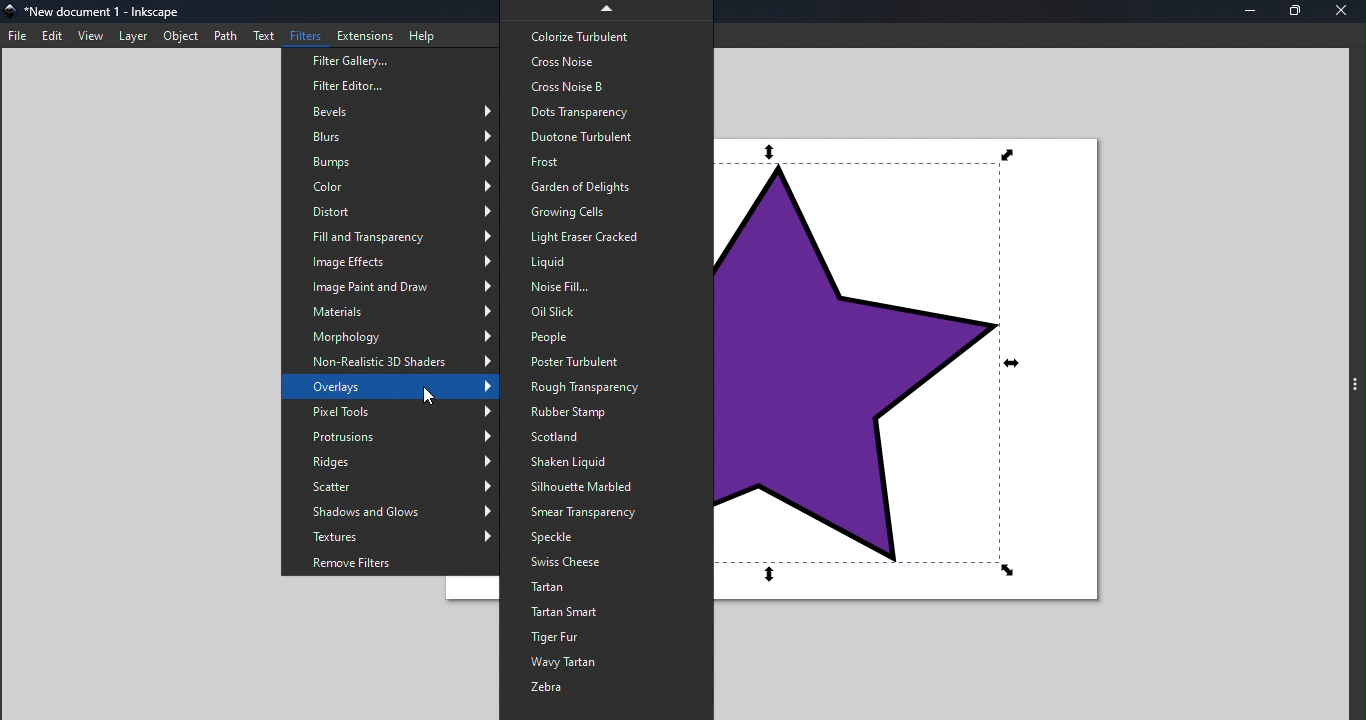 This screenshot has width=1366, height=720. Describe the element at coordinates (603, 33) in the screenshot. I see `Colorize turbulent` at that location.